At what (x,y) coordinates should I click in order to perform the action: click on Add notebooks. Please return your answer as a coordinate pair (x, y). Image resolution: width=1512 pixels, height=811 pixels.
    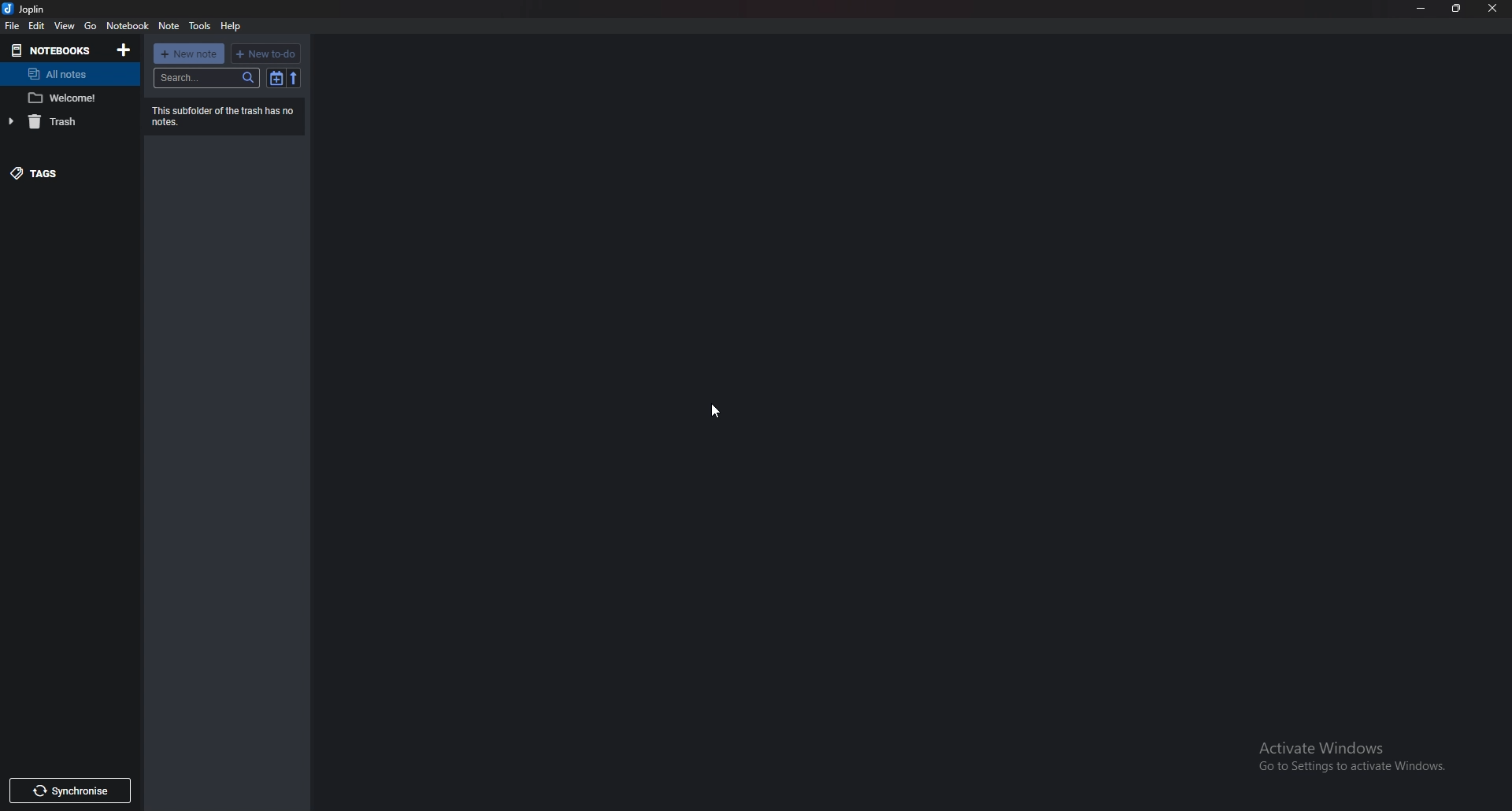
    Looking at the image, I should click on (124, 50).